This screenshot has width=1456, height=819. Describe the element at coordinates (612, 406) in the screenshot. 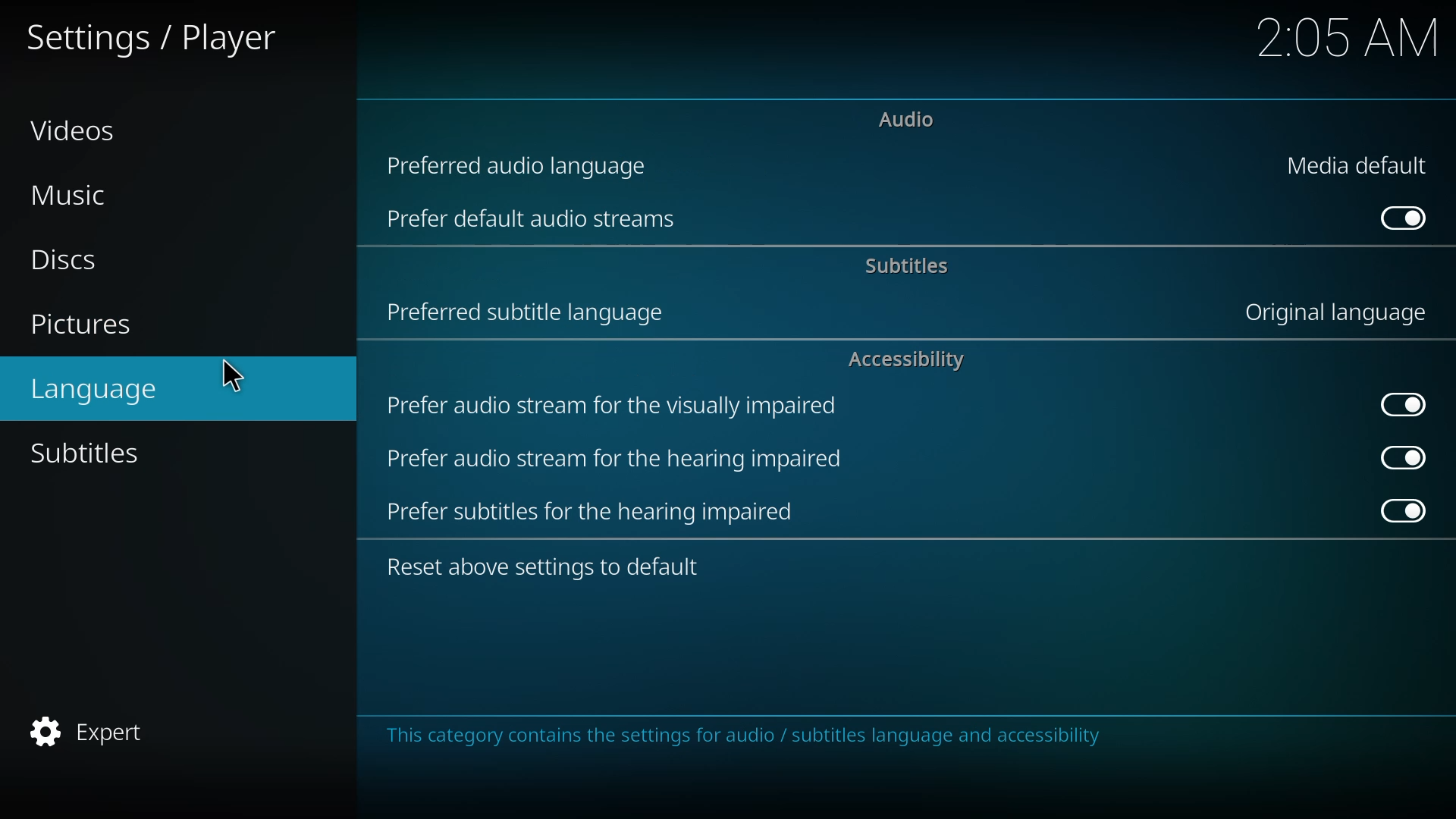

I see `prefer audio stream for visually impaired` at that location.